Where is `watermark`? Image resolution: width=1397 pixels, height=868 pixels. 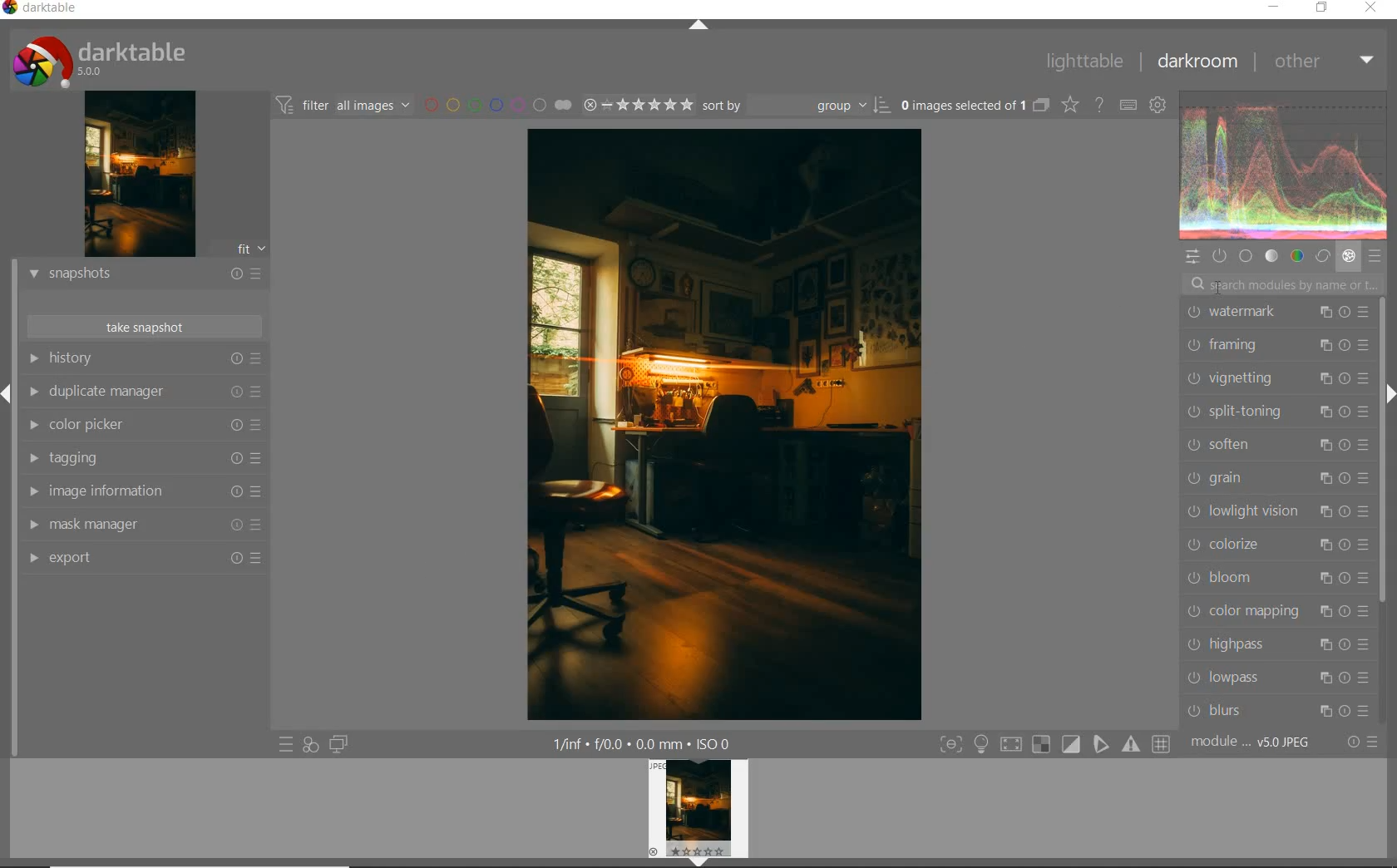
watermark is located at coordinates (1277, 313).